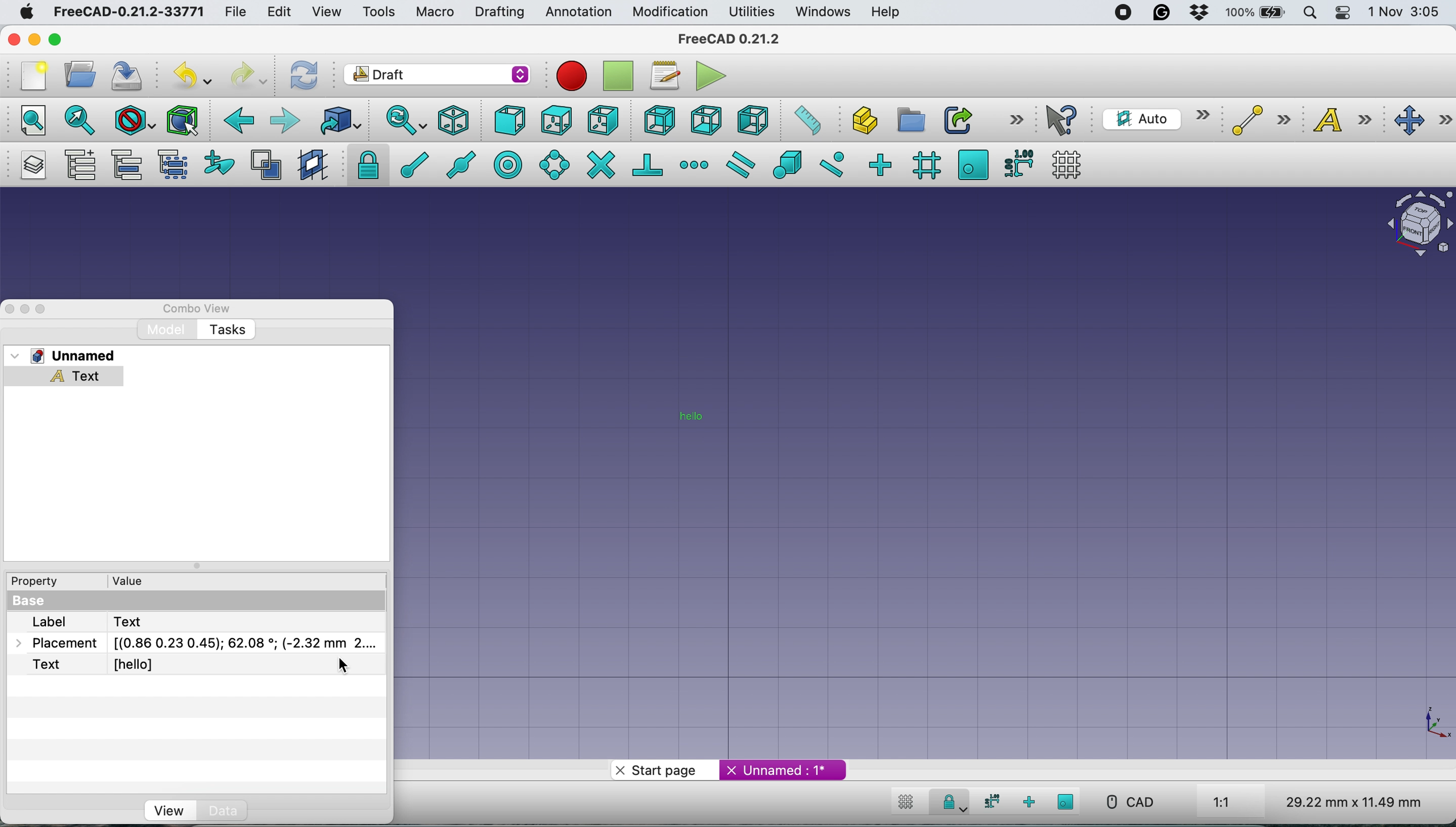 Image resolution: width=1456 pixels, height=827 pixels. What do you see at coordinates (38, 580) in the screenshot?
I see `property` at bounding box center [38, 580].